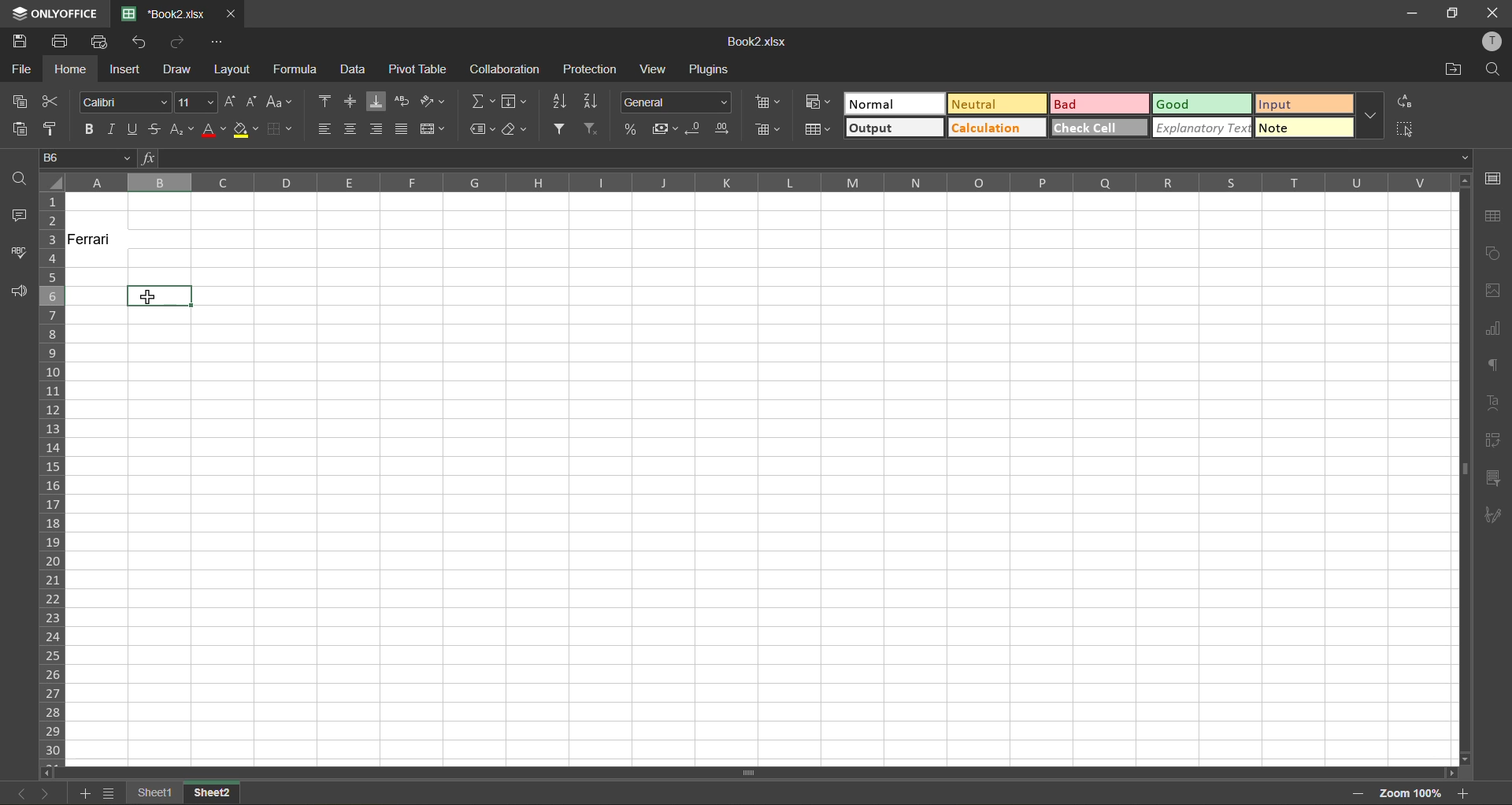  Describe the element at coordinates (22, 793) in the screenshot. I see `previous` at that location.